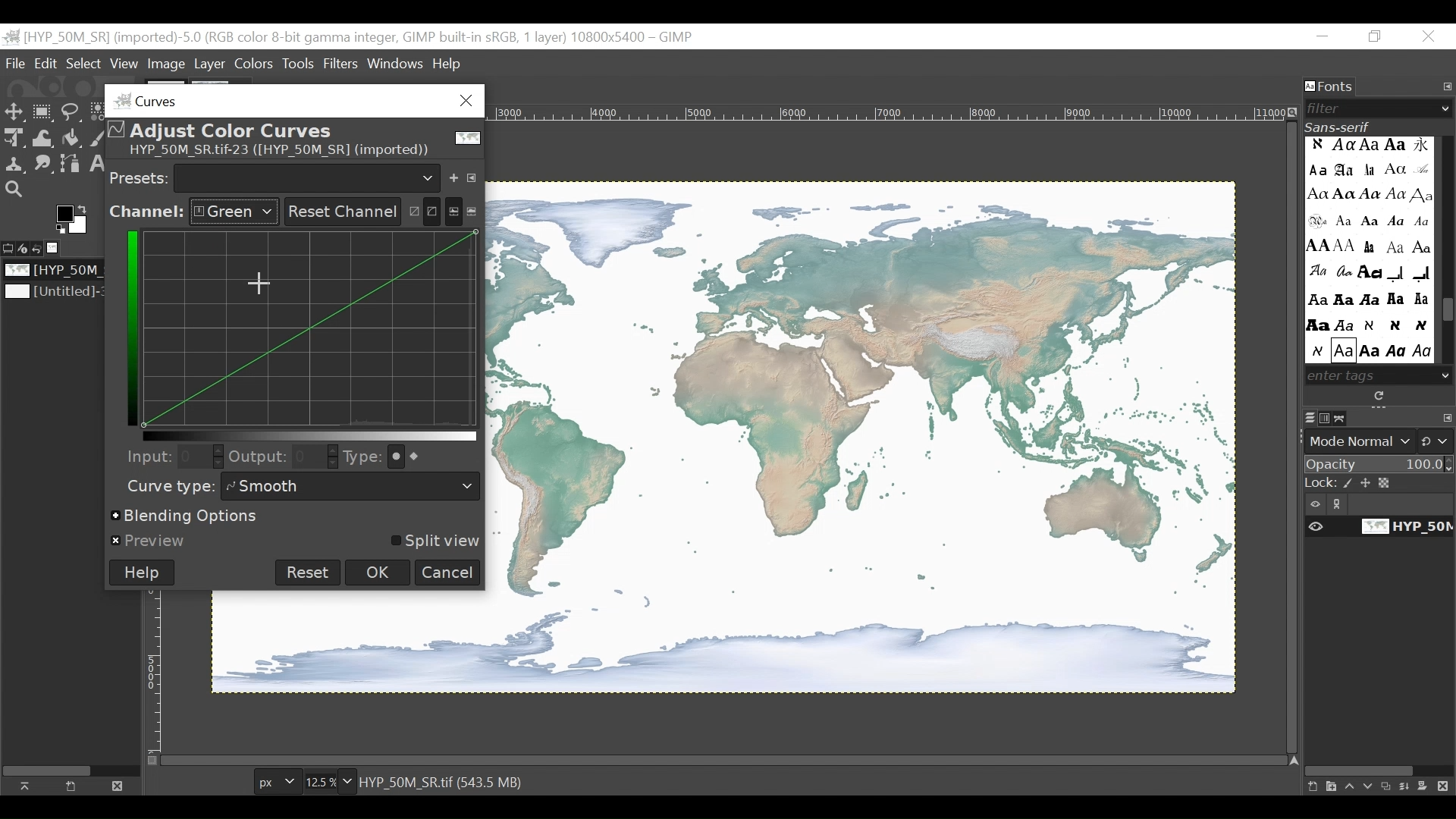  What do you see at coordinates (397, 61) in the screenshot?
I see `Windows` at bounding box center [397, 61].